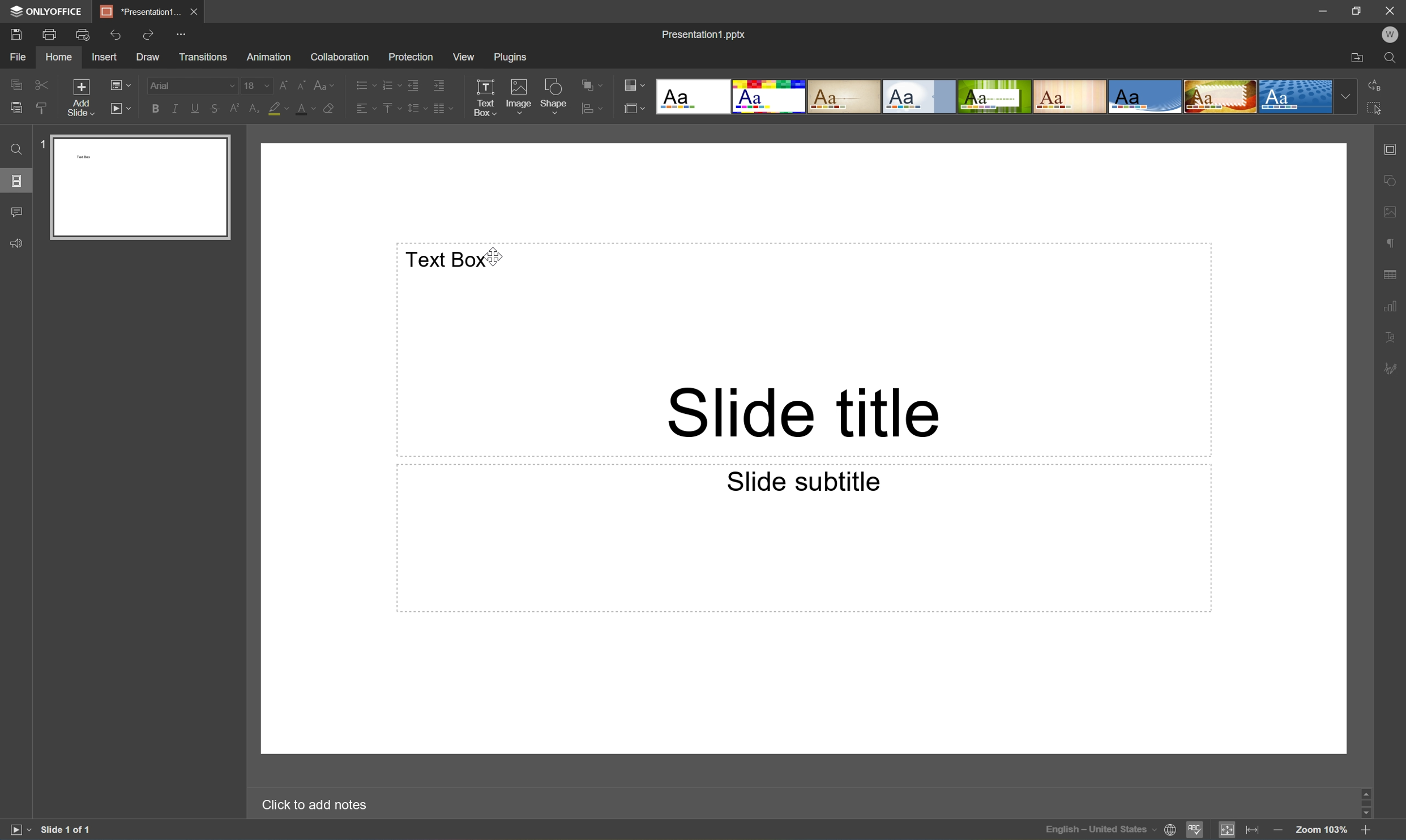 This screenshot has width=1406, height=840. I want to click on Cut, so click(43, 84).